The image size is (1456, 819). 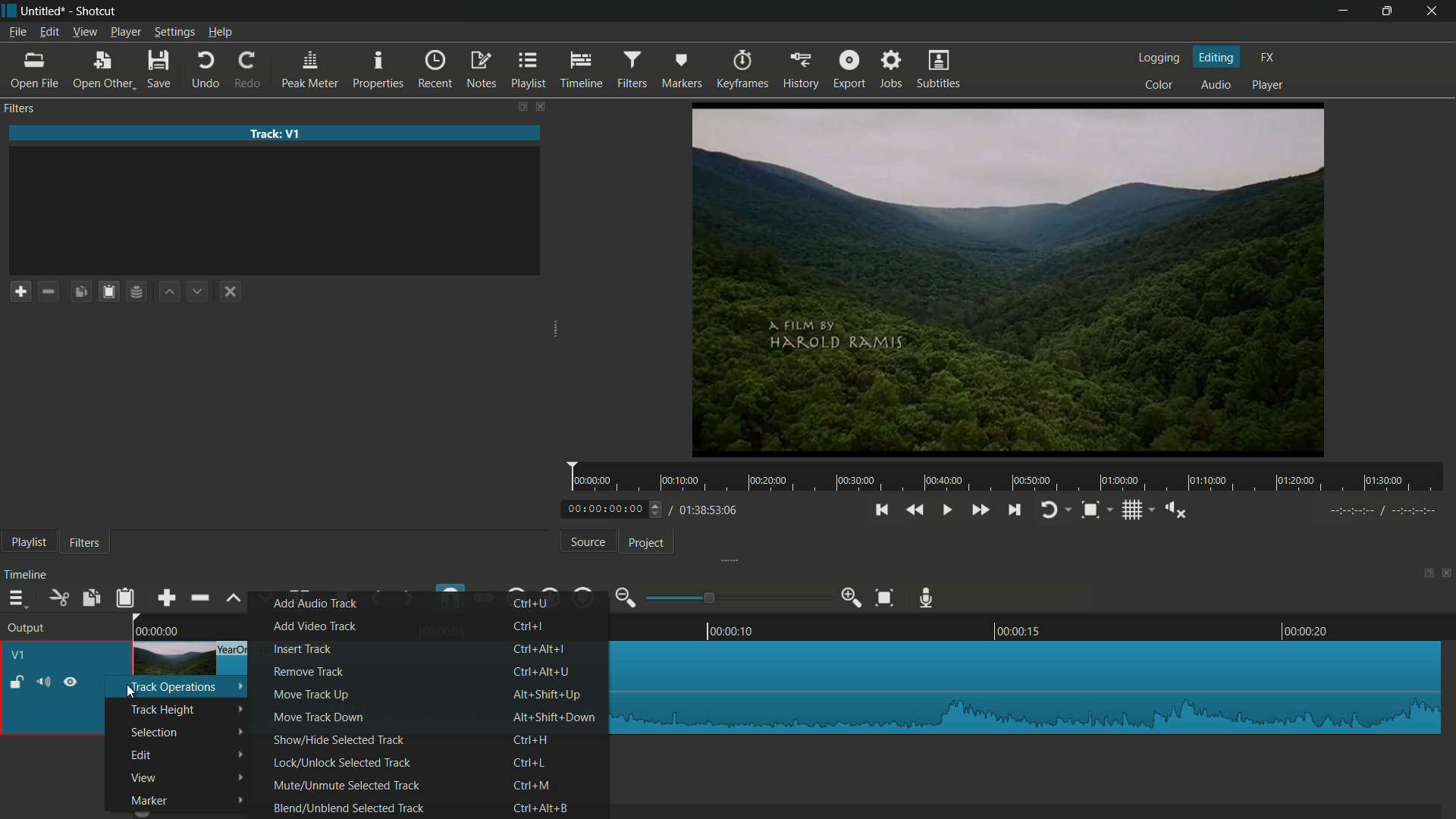 I want to click on current time, so click(x=604, y=509).